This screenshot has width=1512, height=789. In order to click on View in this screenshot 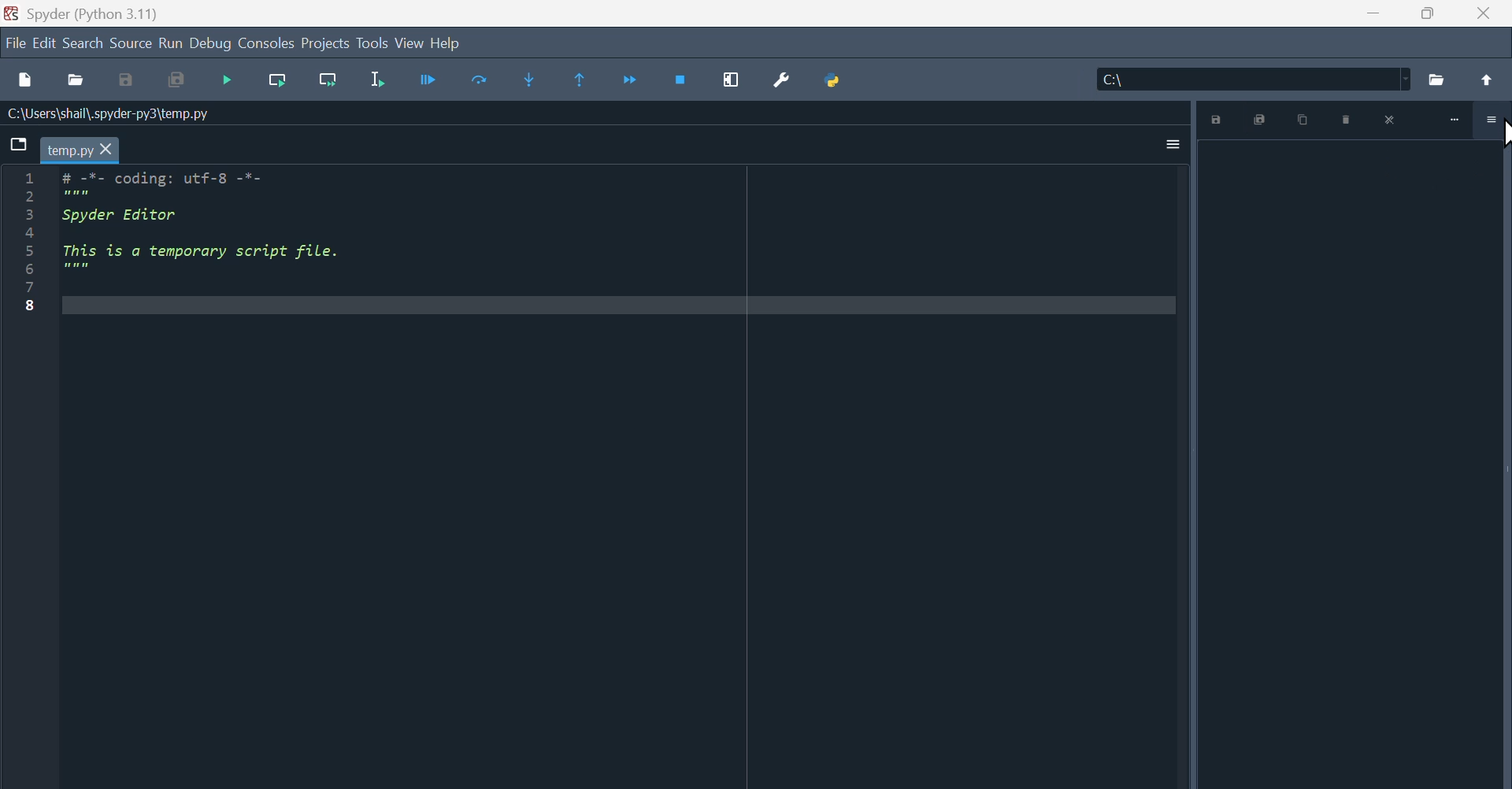, I will do `click(409, 42)`.